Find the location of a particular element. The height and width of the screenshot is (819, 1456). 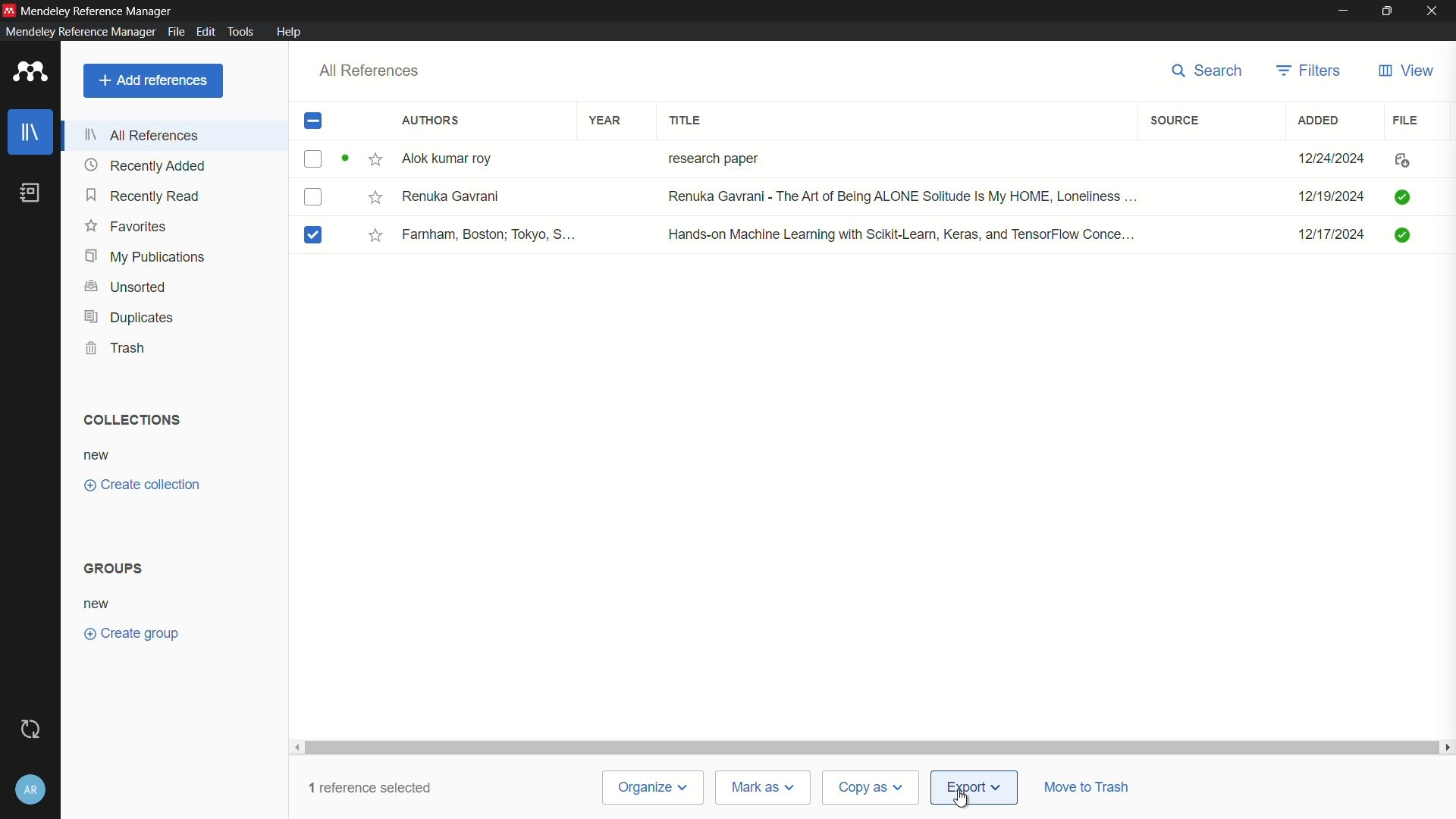

Renuka Gavrani Renuka Gavrani - The Art of Being ALONE Solitude Is My HOME, Loneliness ... is located at coordinates (773, 196).